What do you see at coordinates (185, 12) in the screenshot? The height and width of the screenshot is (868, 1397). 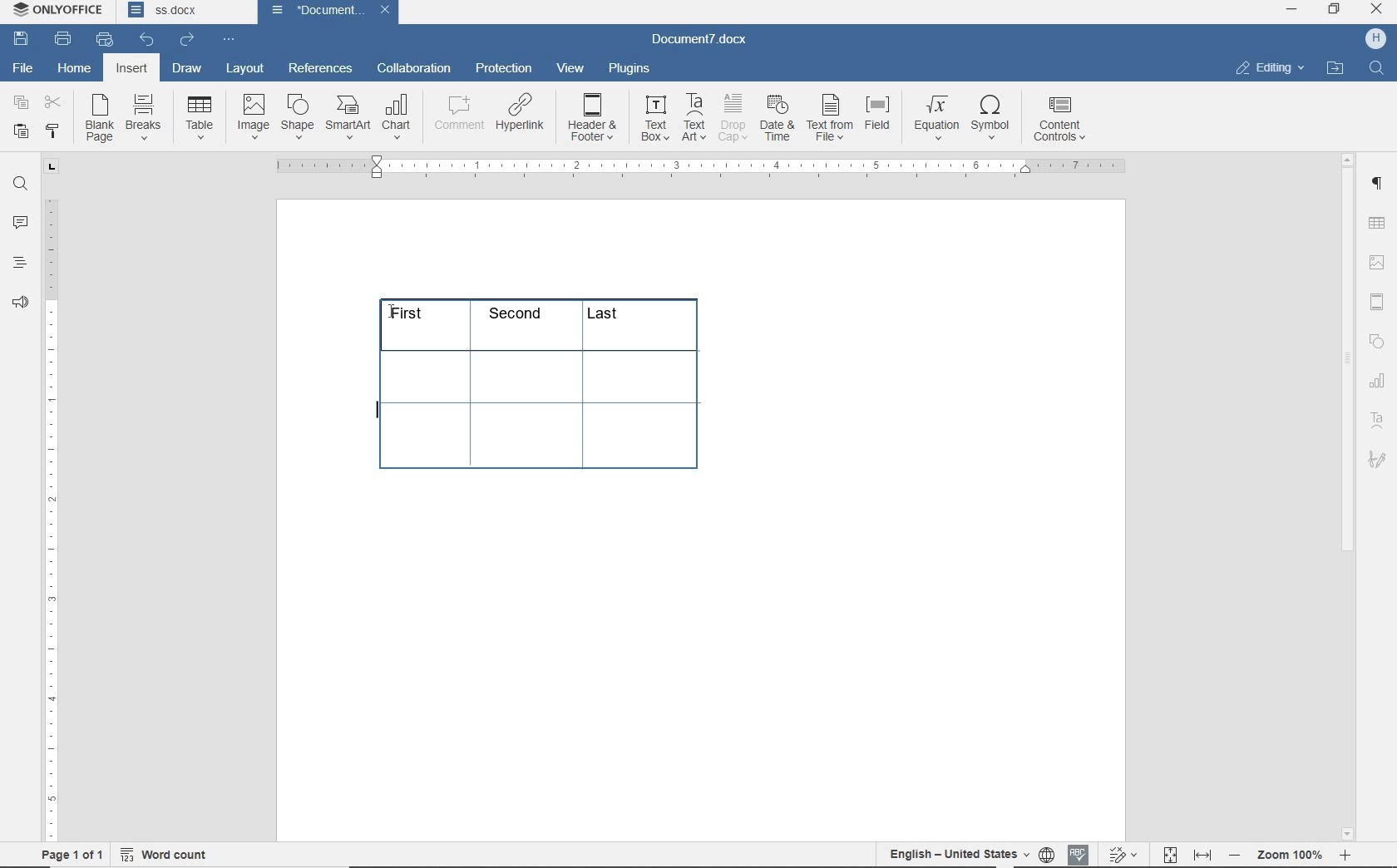 I see `document names` at bounding box center [185, 12].